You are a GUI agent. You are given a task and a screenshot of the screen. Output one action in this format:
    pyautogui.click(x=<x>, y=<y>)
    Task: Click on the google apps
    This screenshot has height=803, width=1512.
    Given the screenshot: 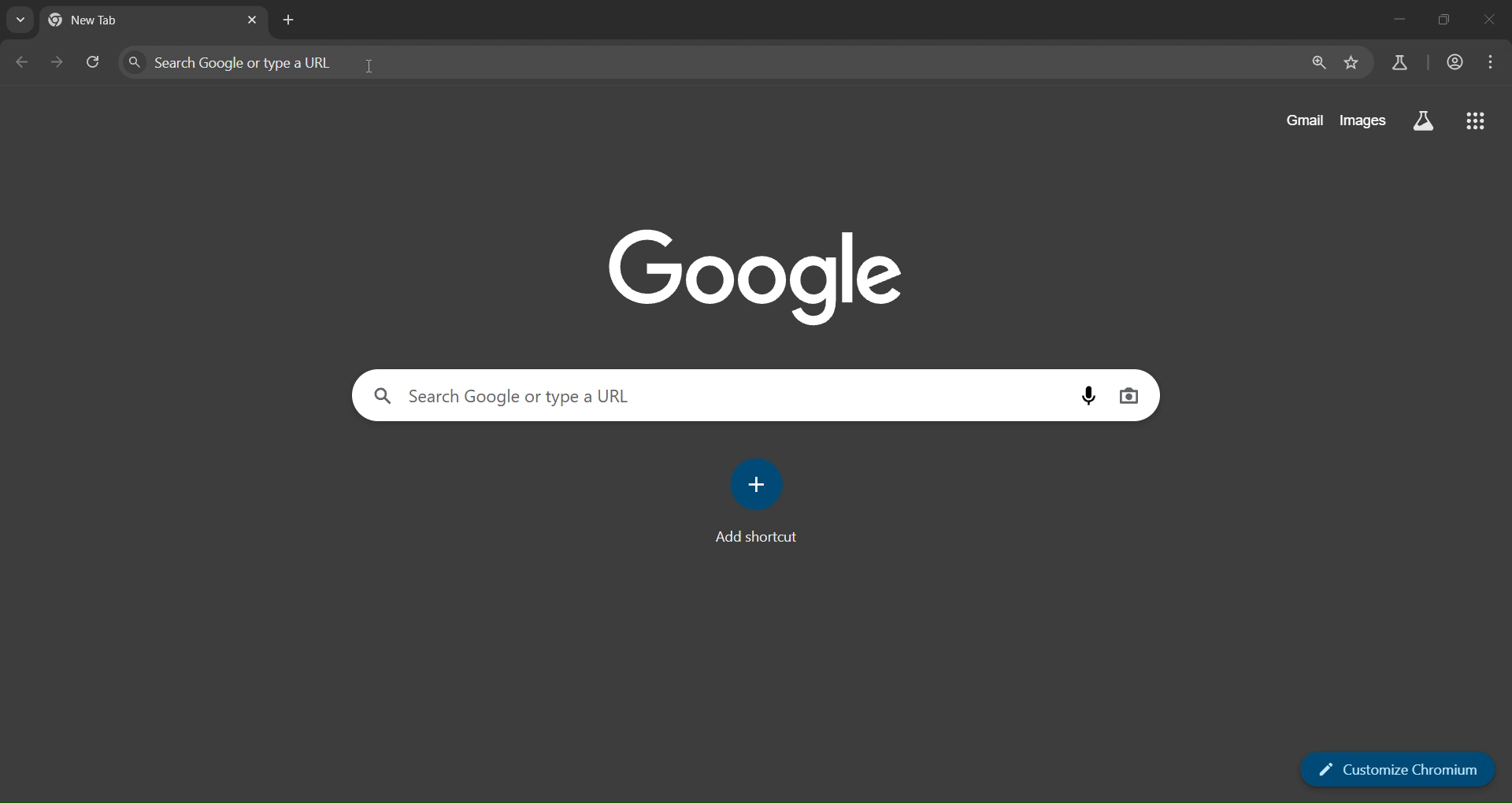 What is the action you would take?
    pyautogui.click(x=1477, y=123)
    